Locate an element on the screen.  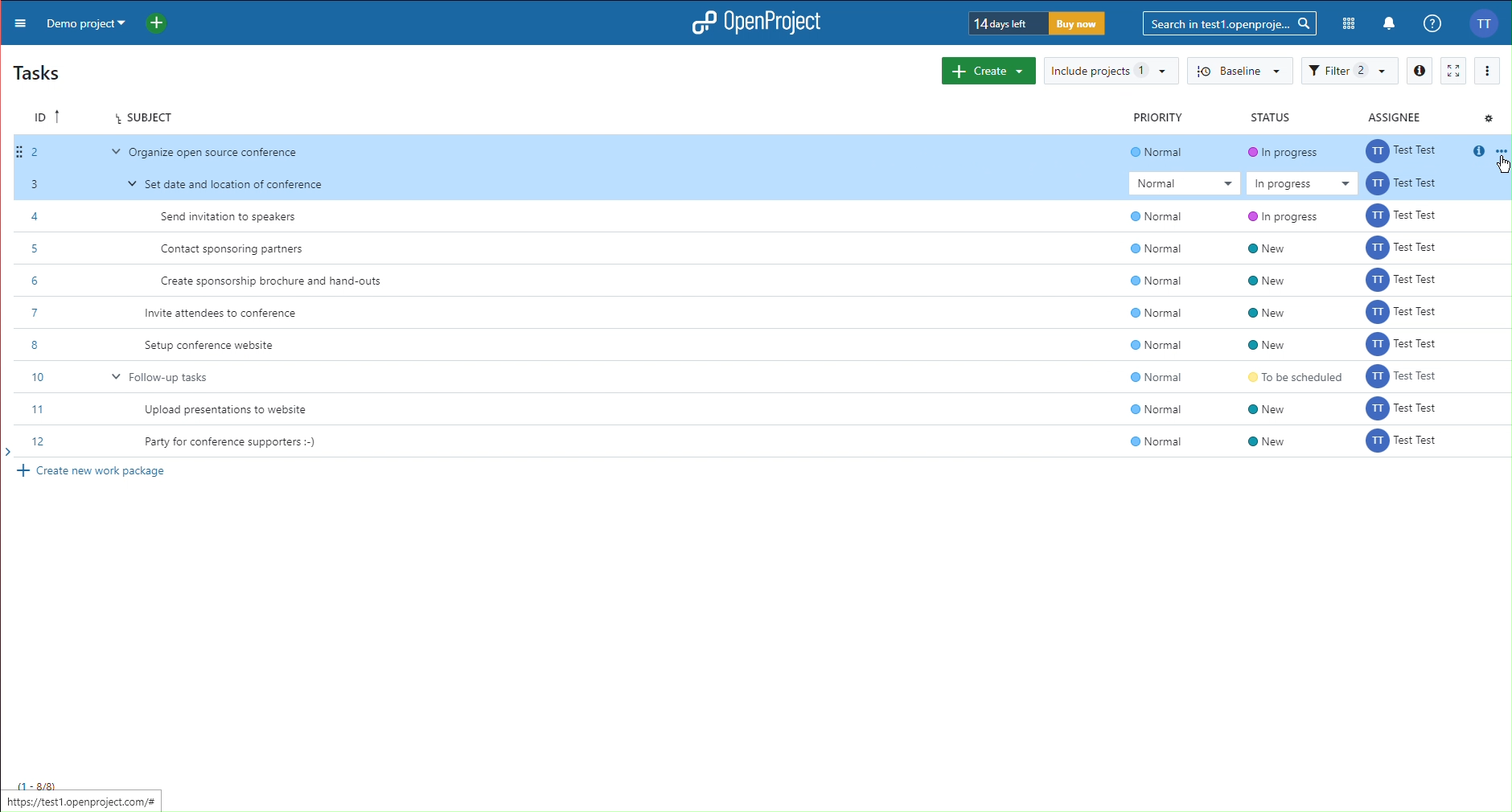
https://test1.openproject.com/# | is located at coordinates (88, 801).